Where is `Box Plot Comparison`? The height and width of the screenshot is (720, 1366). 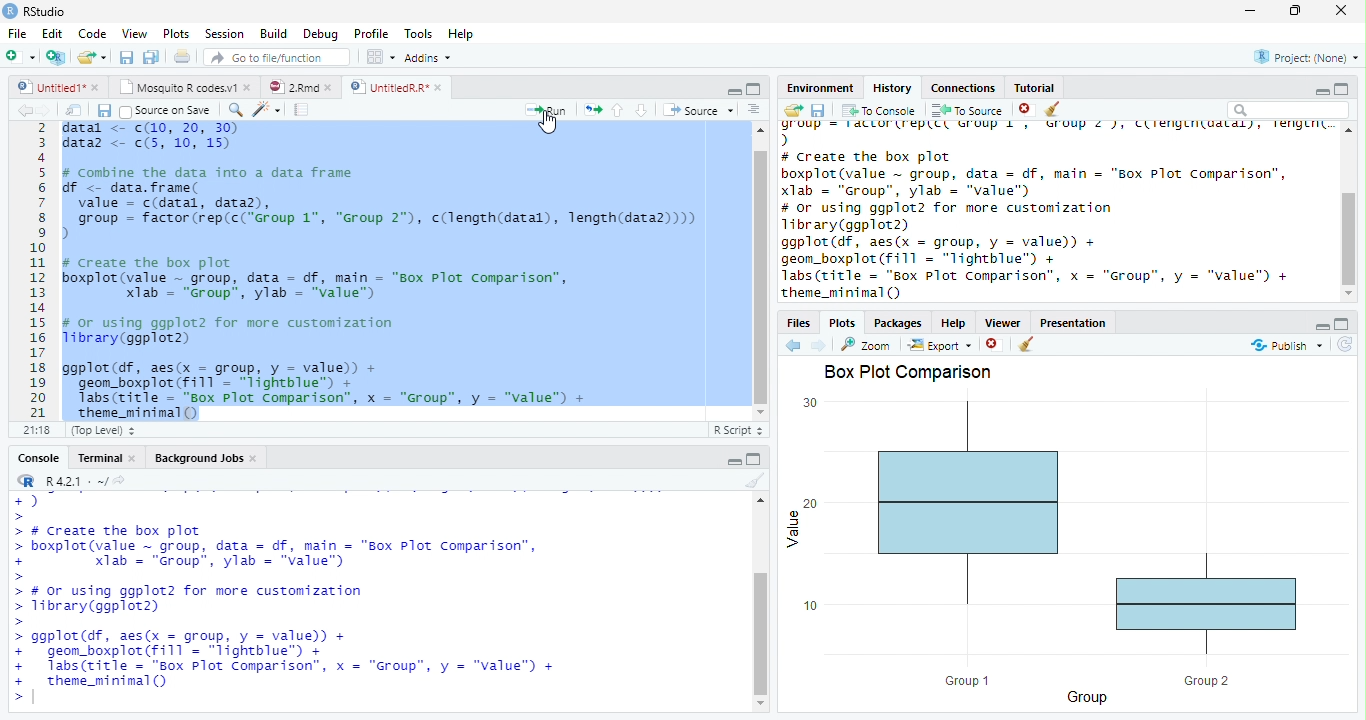
Box Plot Comparison is located at coordinates (910, 372).